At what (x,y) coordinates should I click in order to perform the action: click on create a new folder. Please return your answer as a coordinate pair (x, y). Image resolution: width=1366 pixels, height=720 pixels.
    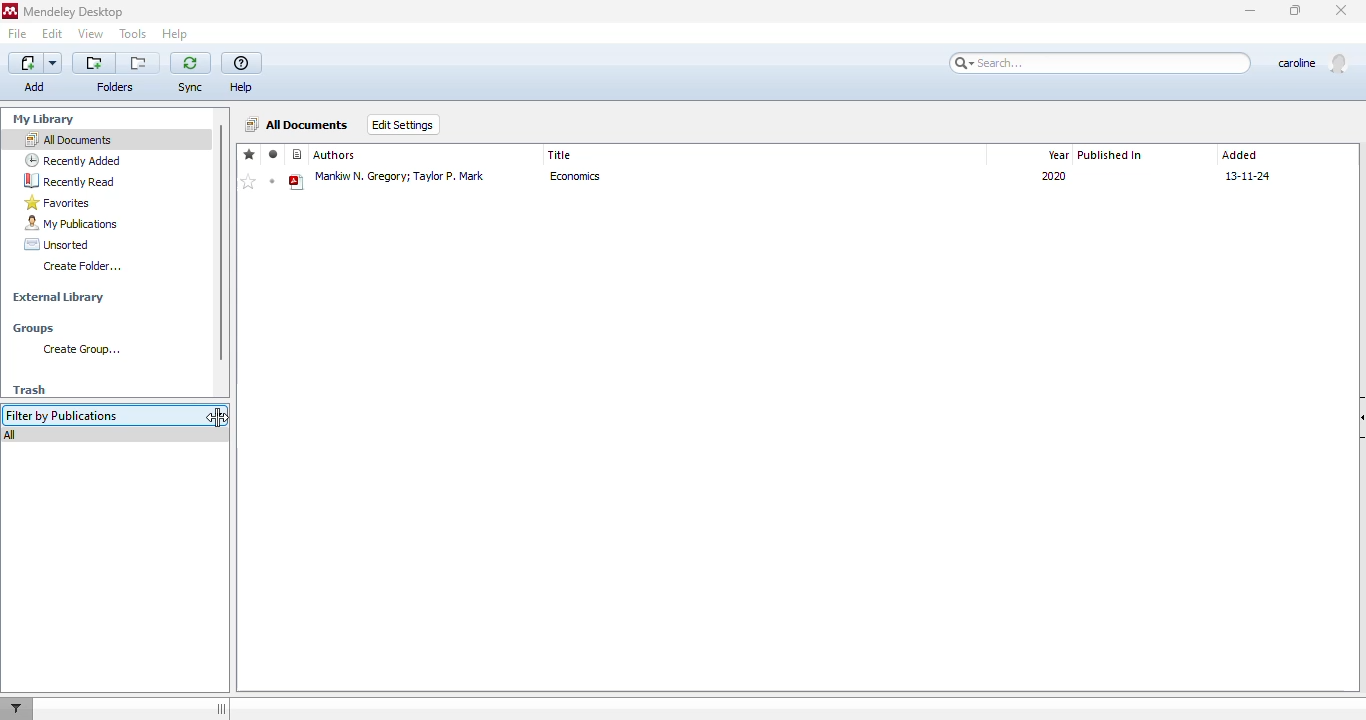
    Looking at the image, I should click on (94, 63).